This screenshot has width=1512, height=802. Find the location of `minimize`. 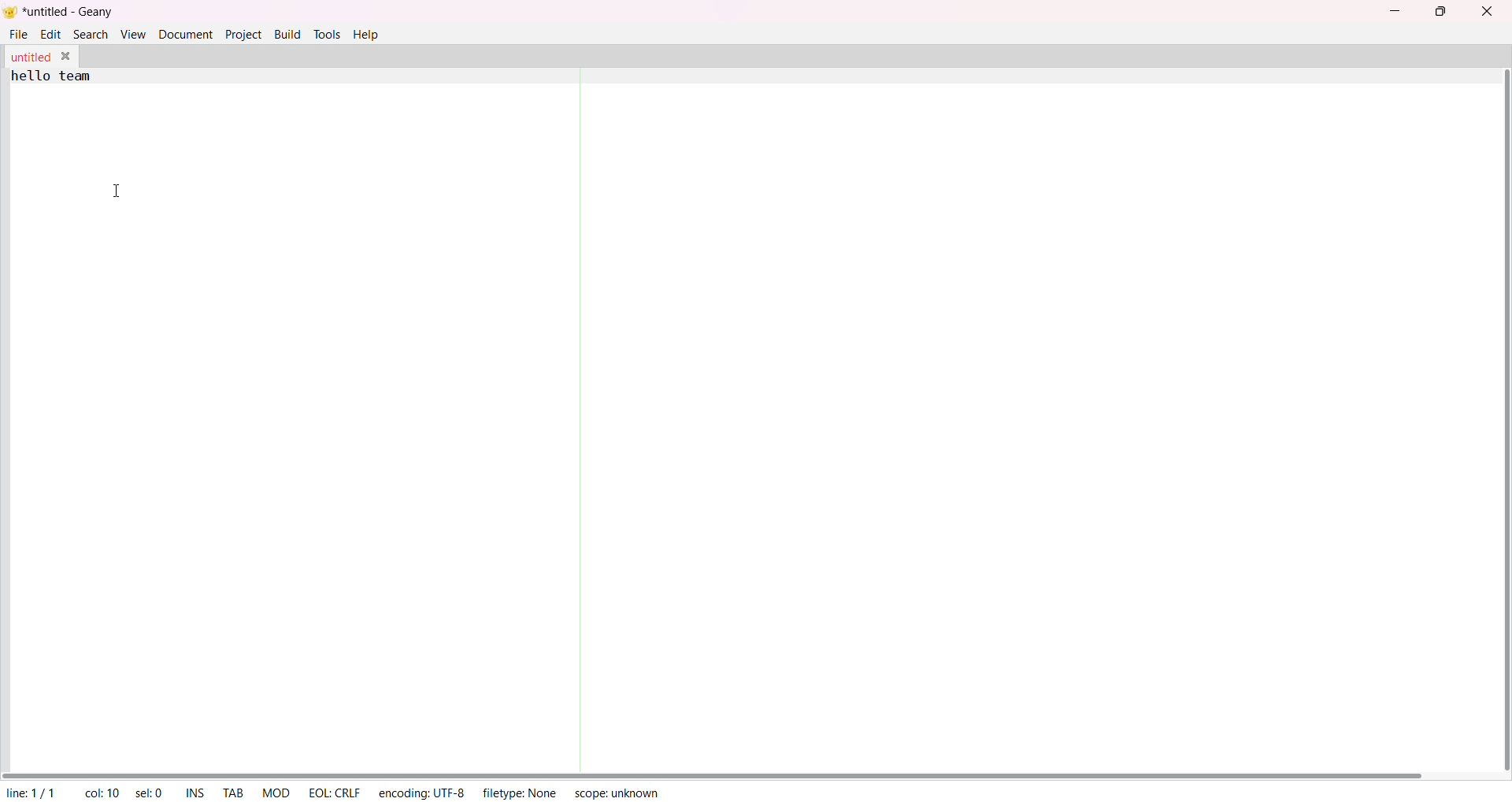

minimize is located at coordinates (1393, 13).